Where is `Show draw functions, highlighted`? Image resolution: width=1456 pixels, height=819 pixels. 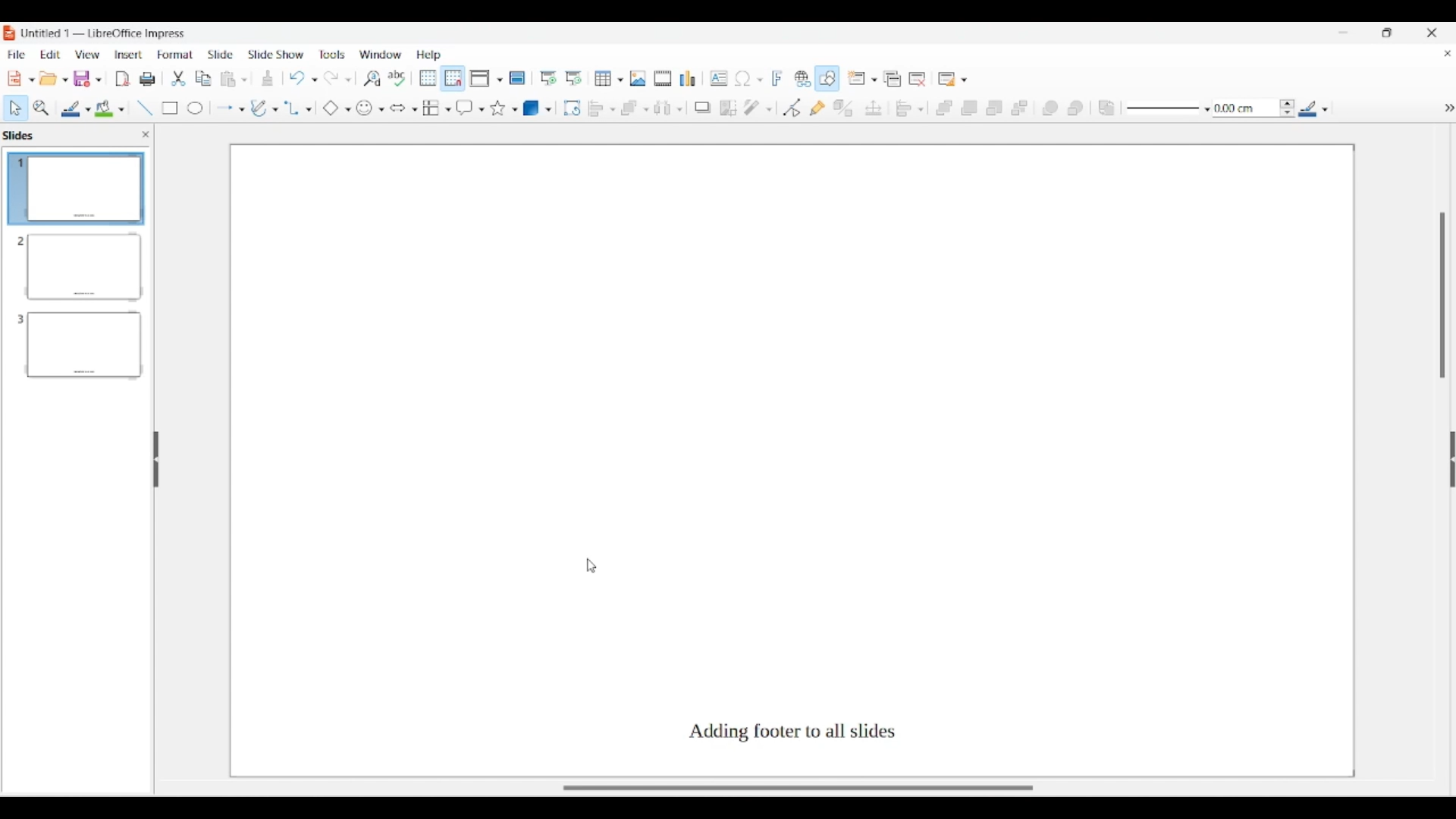
Show draw functions, highlighted is located at coordinates (826, 78).